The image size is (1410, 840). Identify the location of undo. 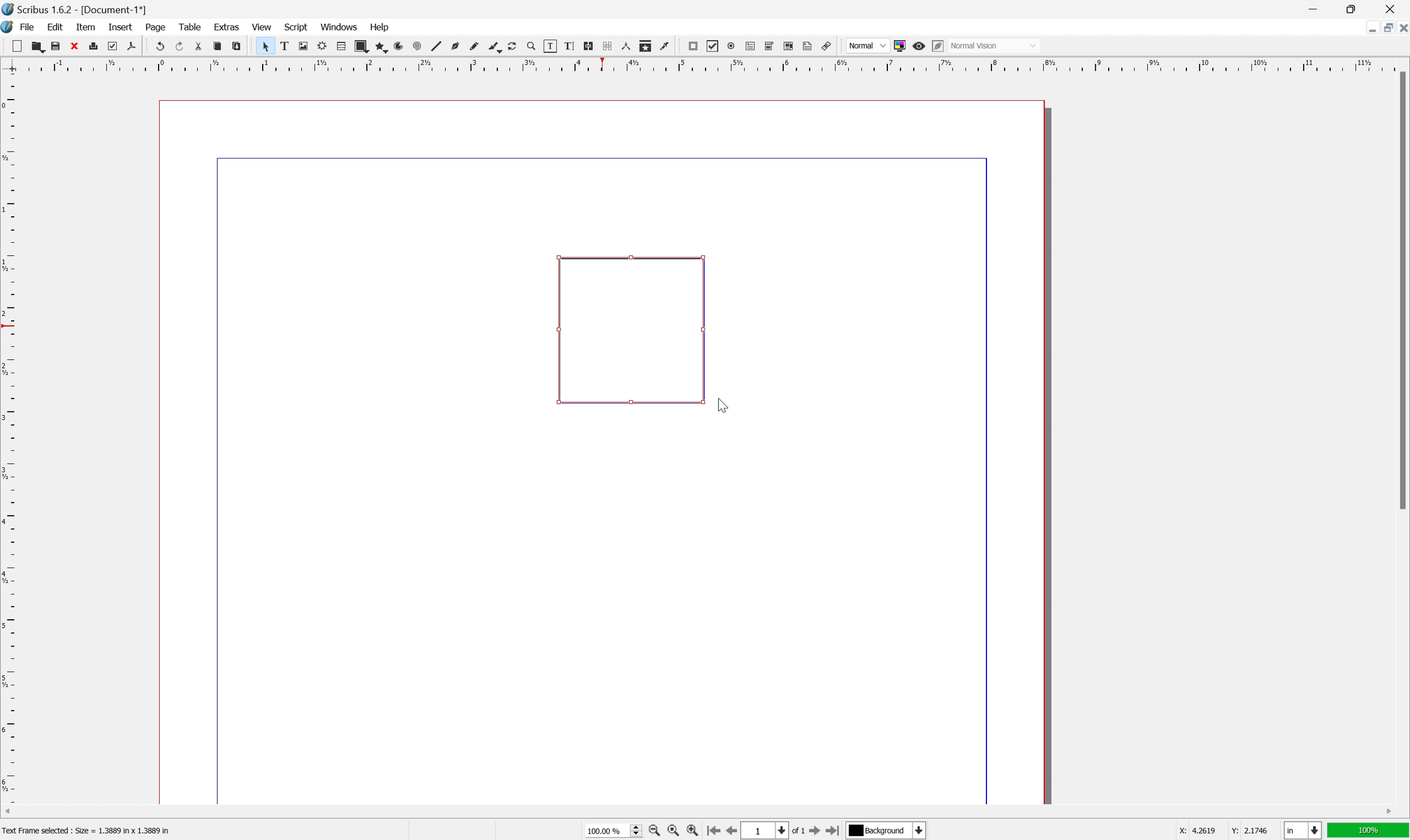
(158, 45).